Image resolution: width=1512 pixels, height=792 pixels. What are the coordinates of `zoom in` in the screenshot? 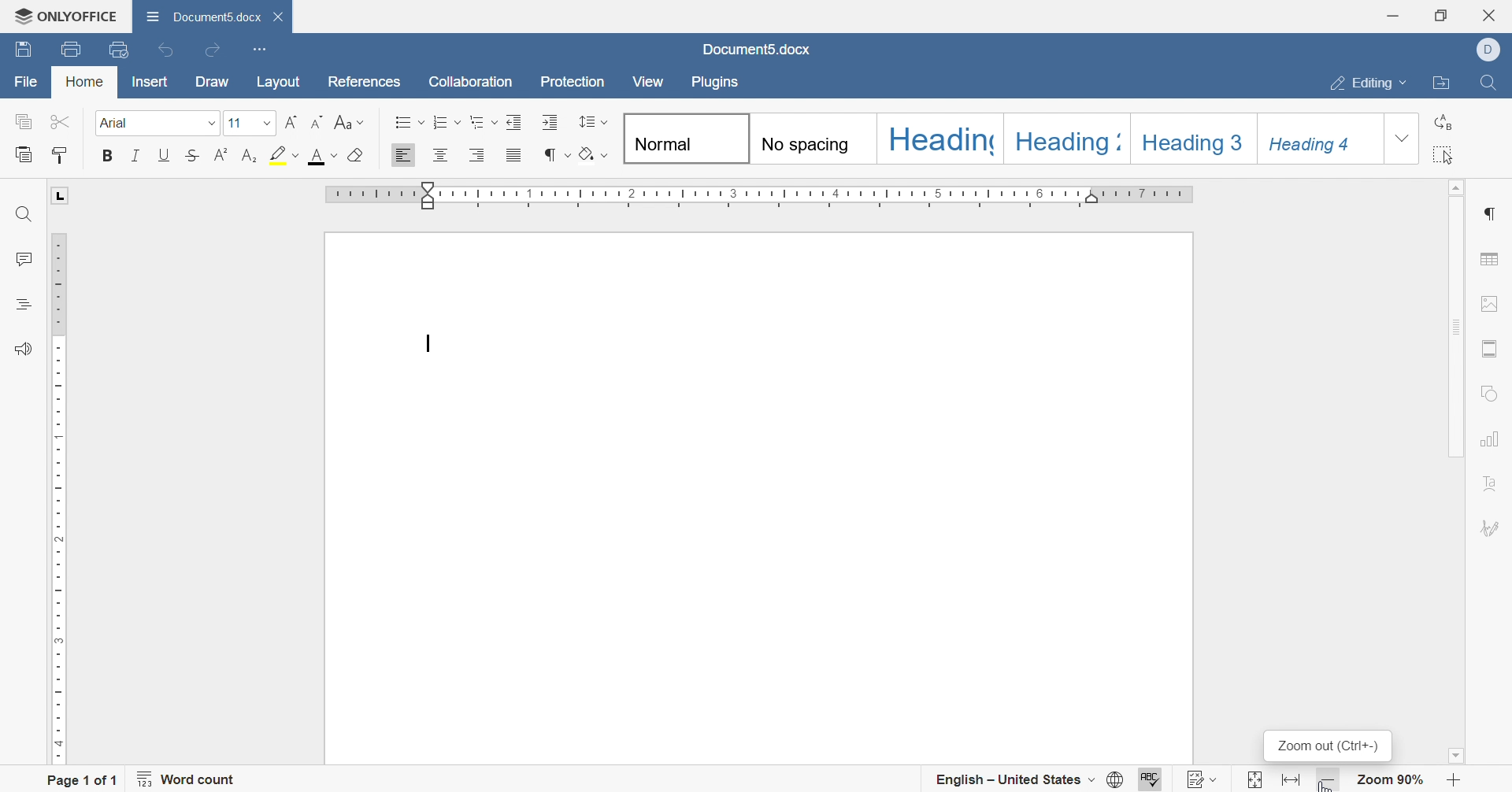 It's located at (1459, 780).